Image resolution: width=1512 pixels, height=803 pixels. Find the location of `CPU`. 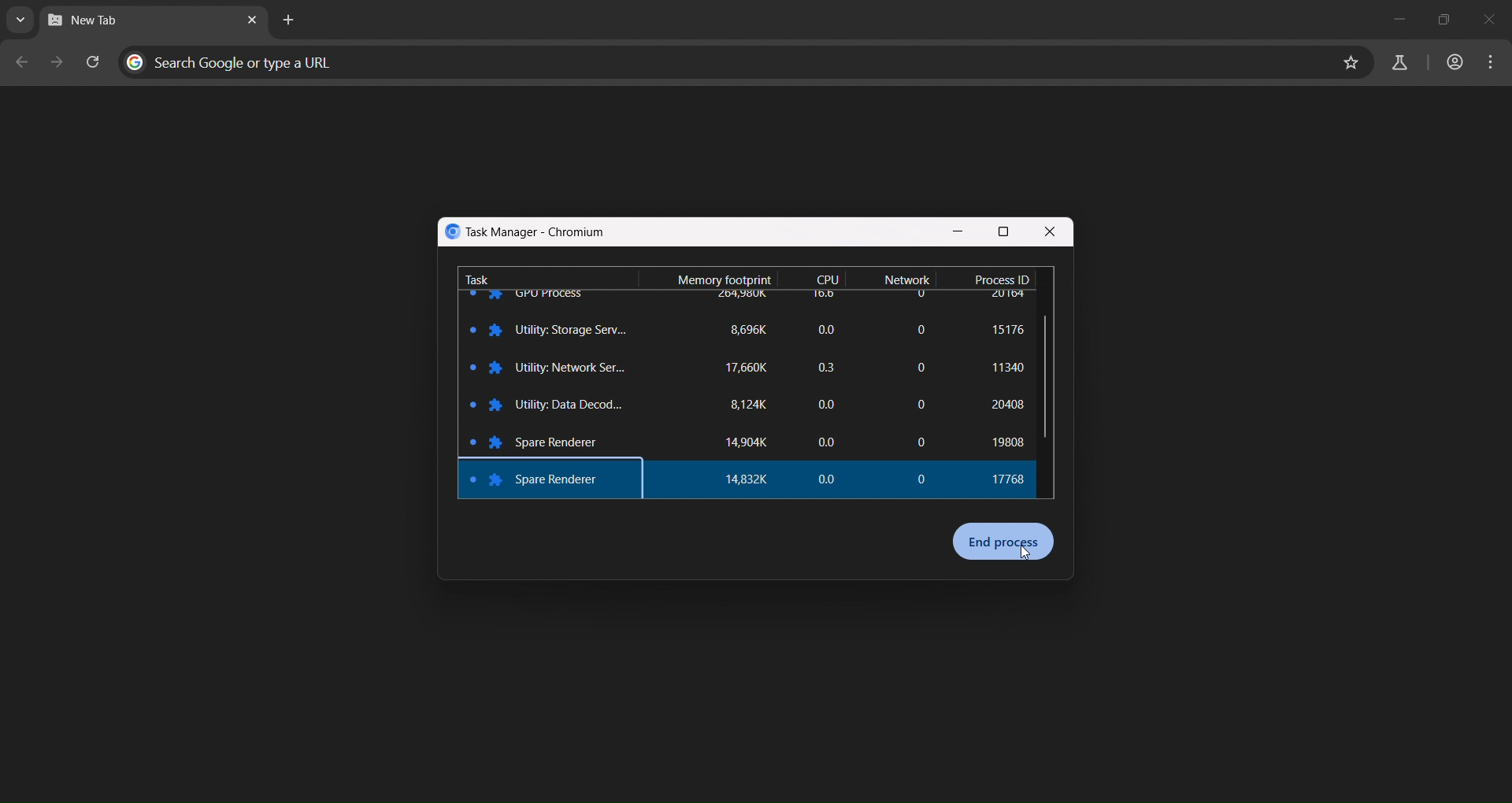

CPU is located at coordinates (830, 278).